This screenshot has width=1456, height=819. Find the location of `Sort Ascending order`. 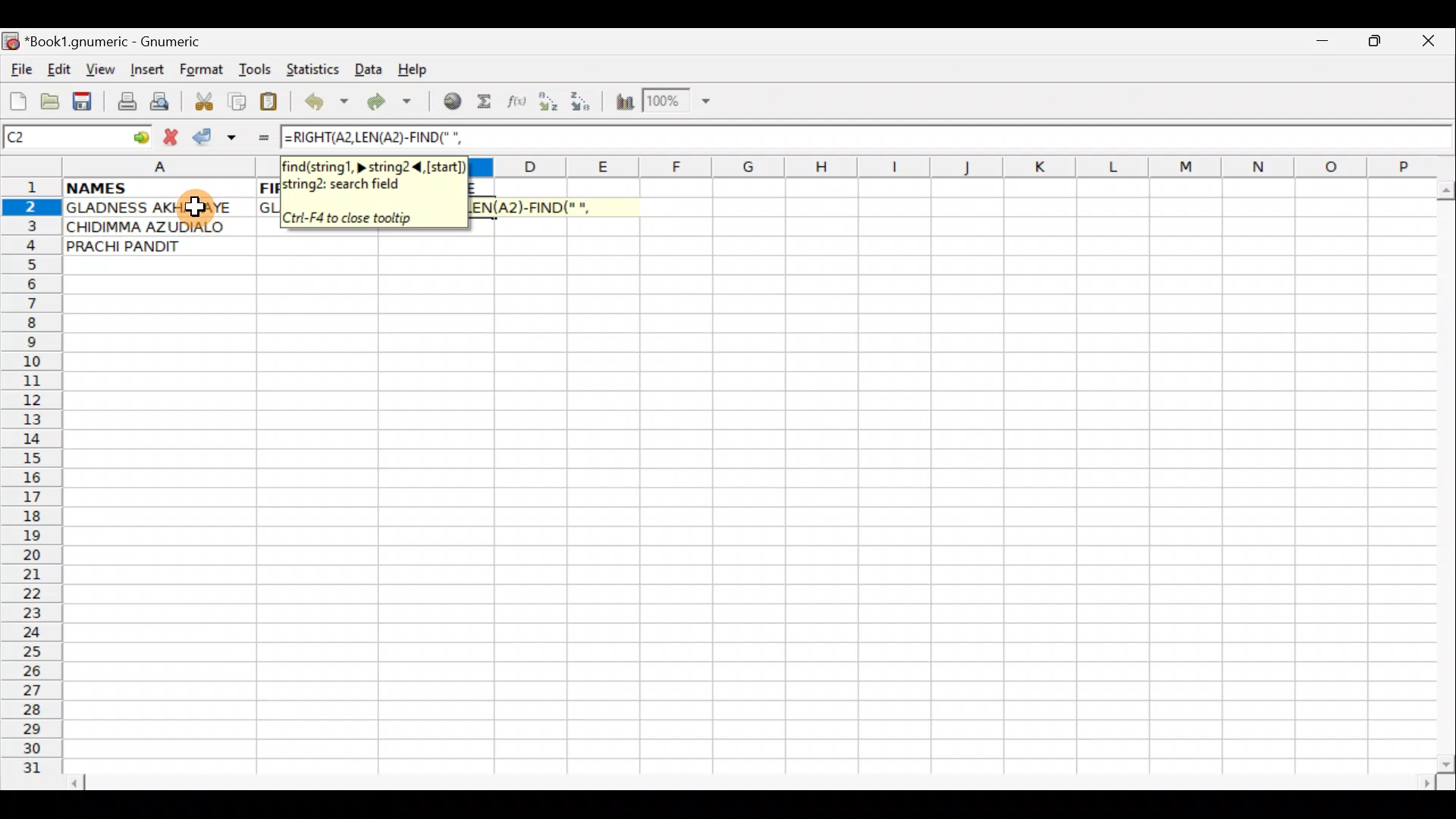

Sort Ascending order is located at coordinates (553, 105).